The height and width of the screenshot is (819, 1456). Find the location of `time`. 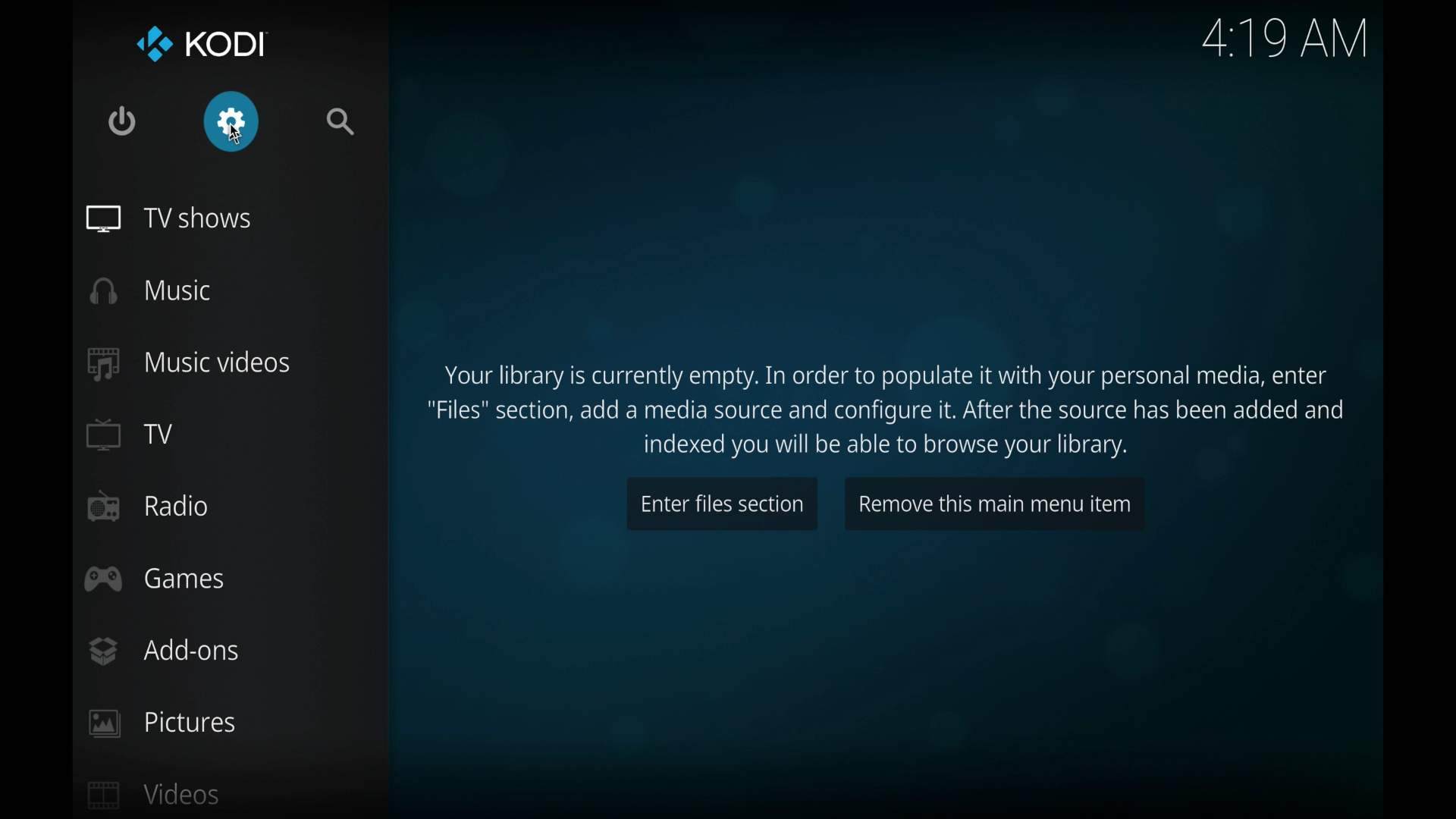

time is located at coordinates (1288, 39).